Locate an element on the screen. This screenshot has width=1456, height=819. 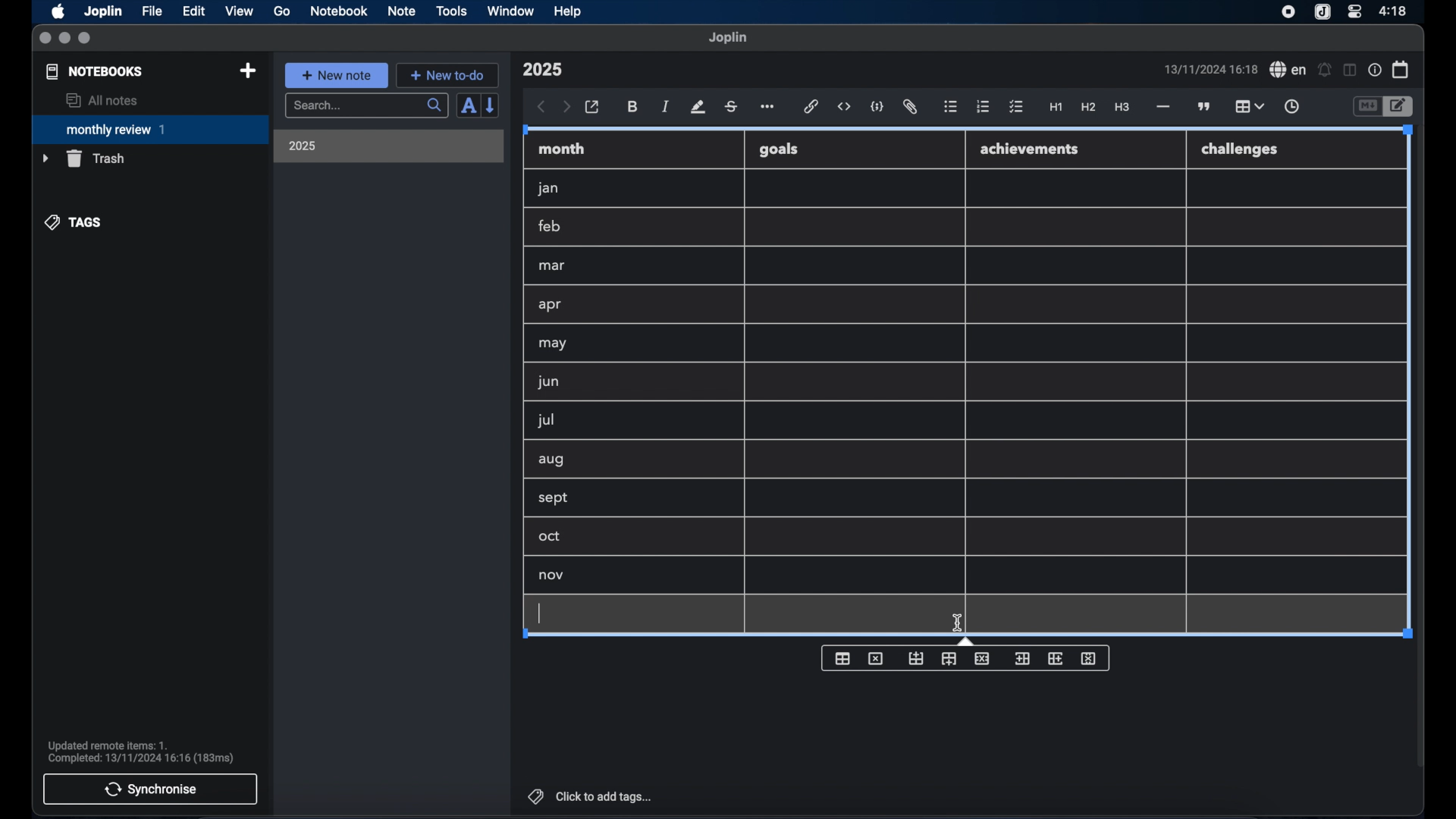
I beam cursor is located at coordinates (958, 623).